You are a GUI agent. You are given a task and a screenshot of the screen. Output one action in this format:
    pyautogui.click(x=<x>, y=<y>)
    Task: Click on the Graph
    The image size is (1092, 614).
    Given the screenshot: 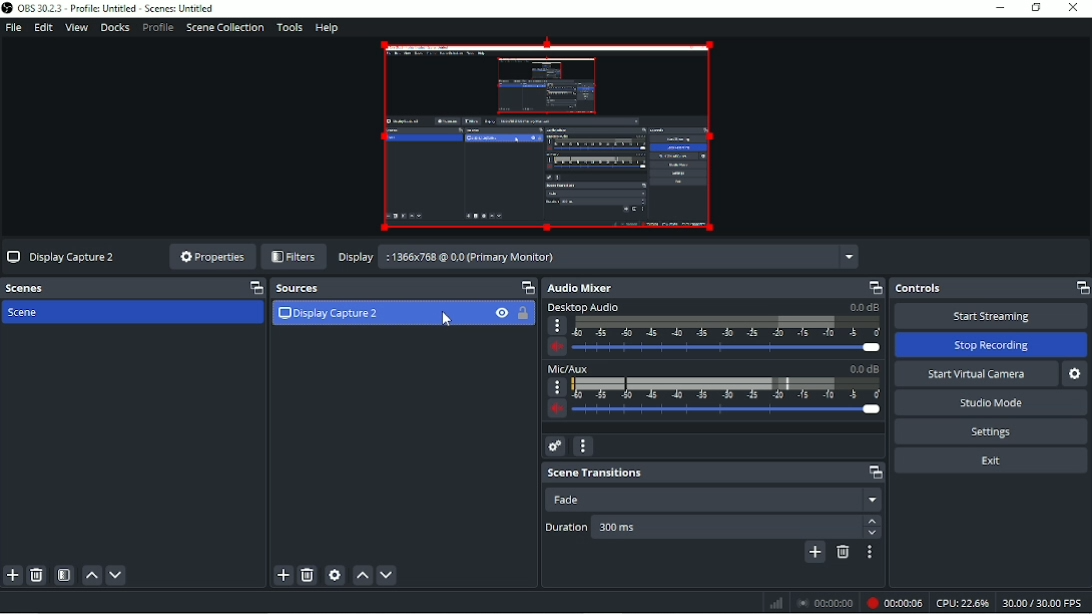 What is the action you would take?
    pyautogui.click(x=776, y=602)
    